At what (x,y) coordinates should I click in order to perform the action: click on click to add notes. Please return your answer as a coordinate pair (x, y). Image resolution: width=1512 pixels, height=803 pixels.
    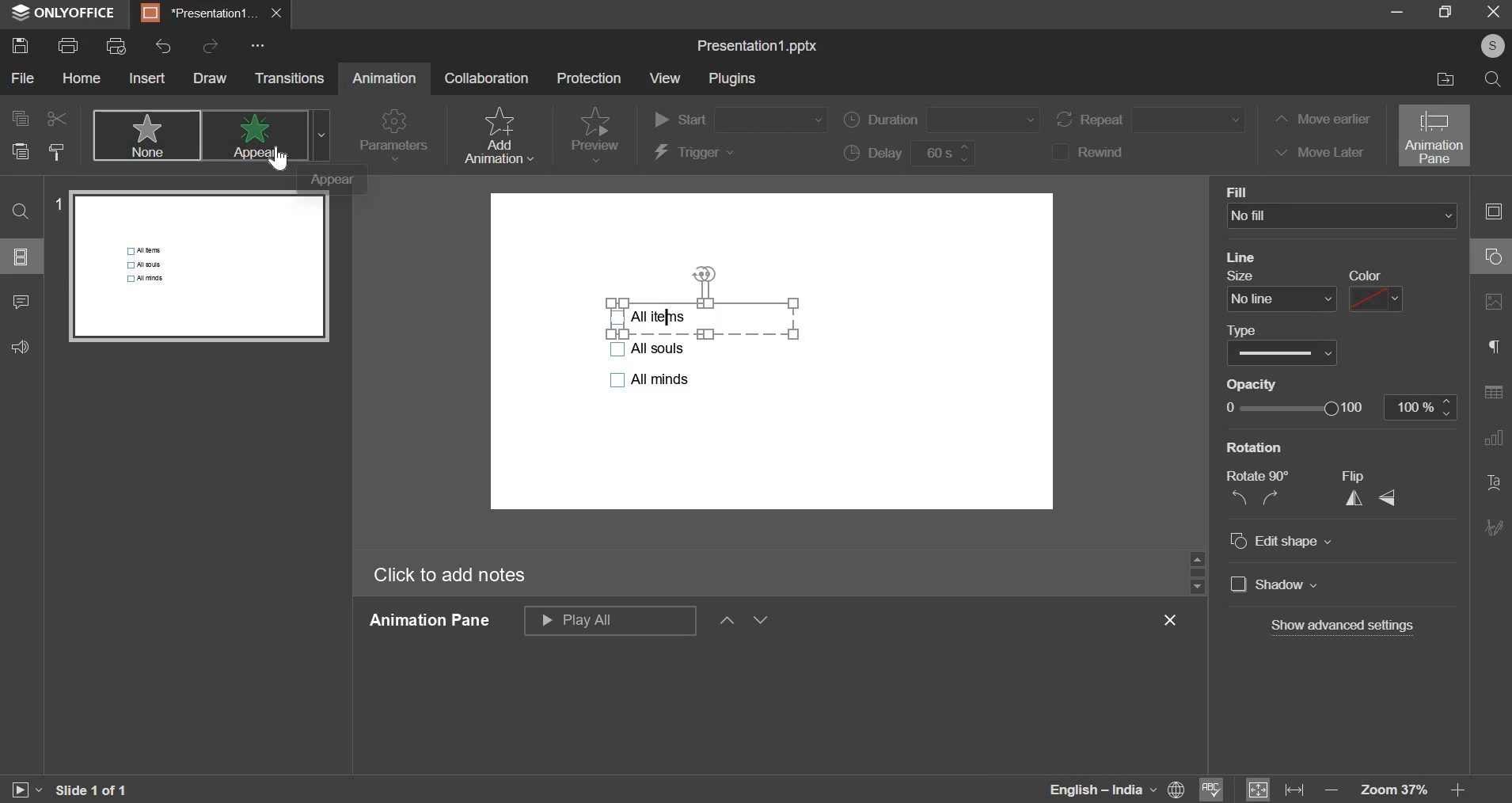
    Looking at the image, I should click on (450, 576).